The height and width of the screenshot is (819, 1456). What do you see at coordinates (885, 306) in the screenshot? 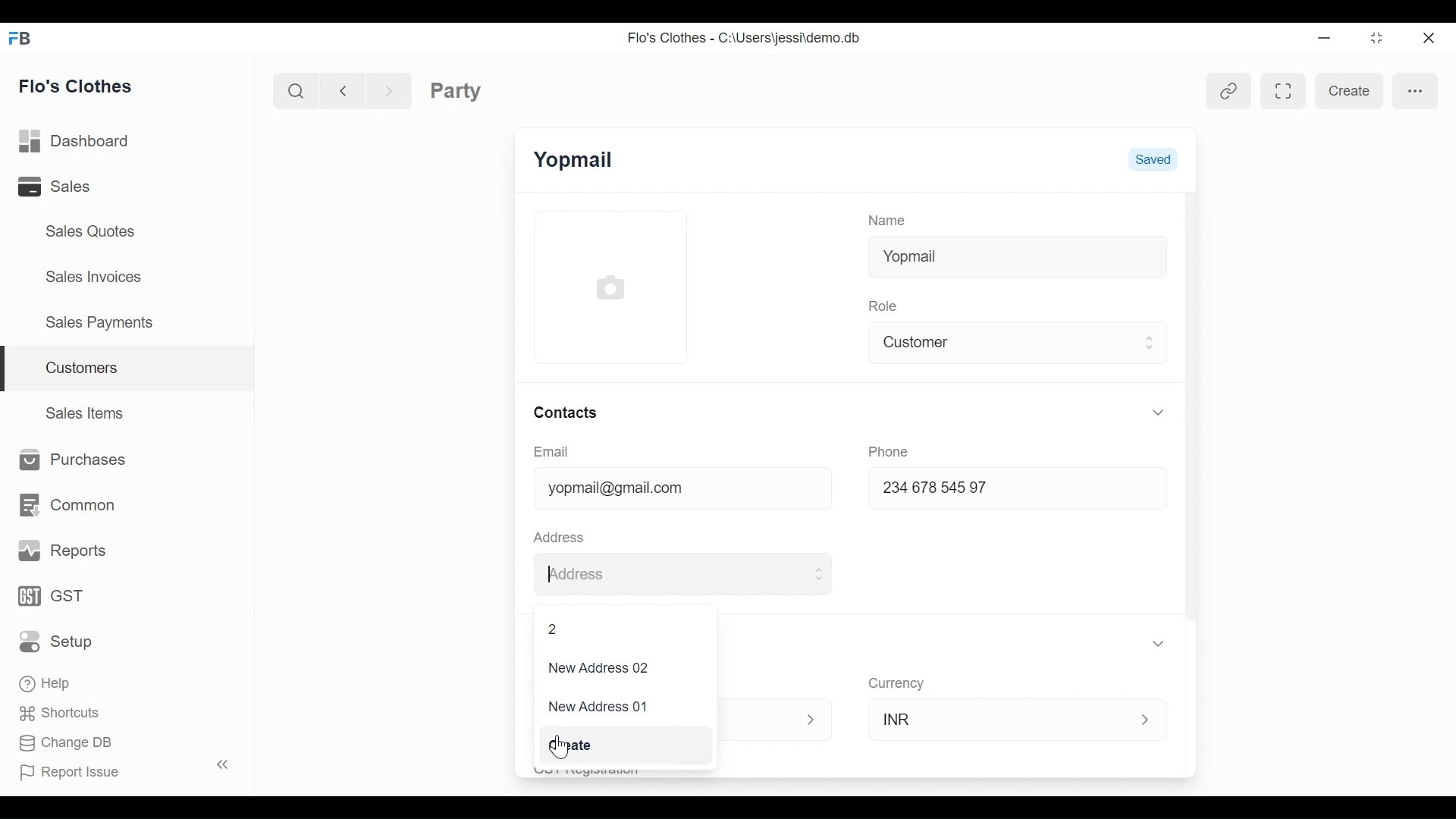
I see `Role` at bounding box center [885, 306].